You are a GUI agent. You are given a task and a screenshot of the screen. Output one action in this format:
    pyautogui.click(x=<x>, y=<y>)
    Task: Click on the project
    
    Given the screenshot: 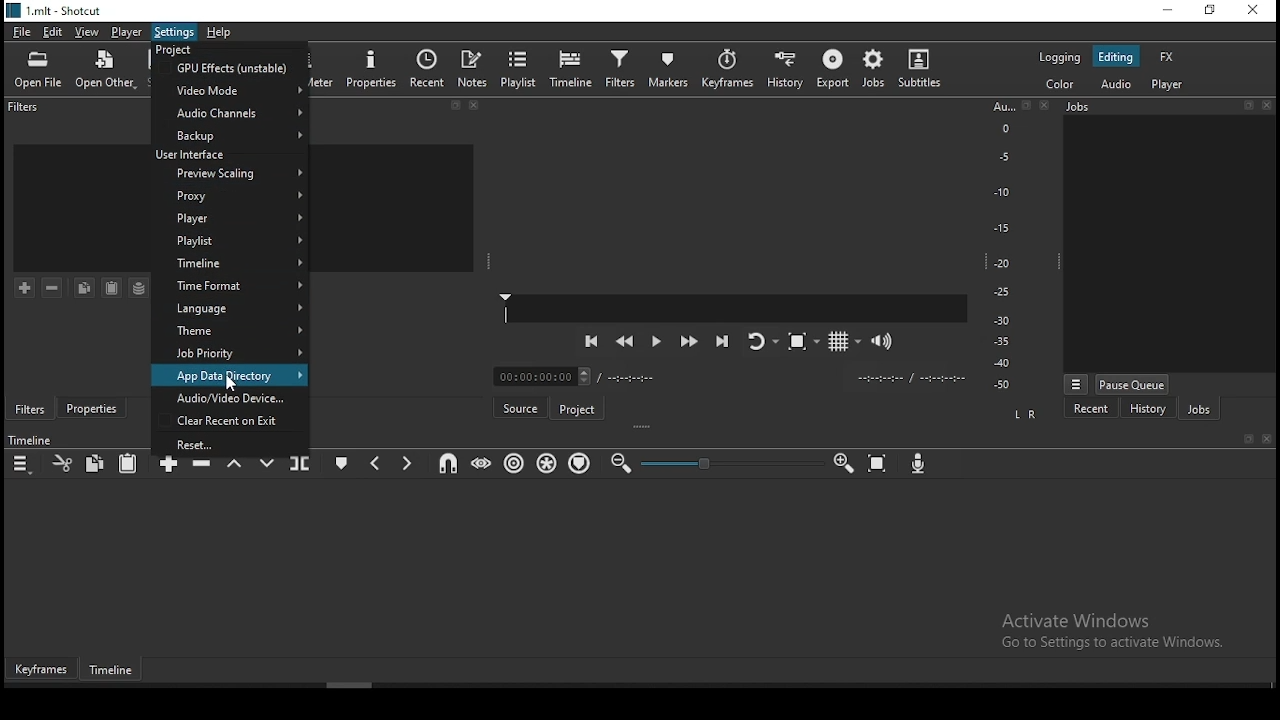 What is the action you would take?
    pyautogui.click(x=579, y=406)
    